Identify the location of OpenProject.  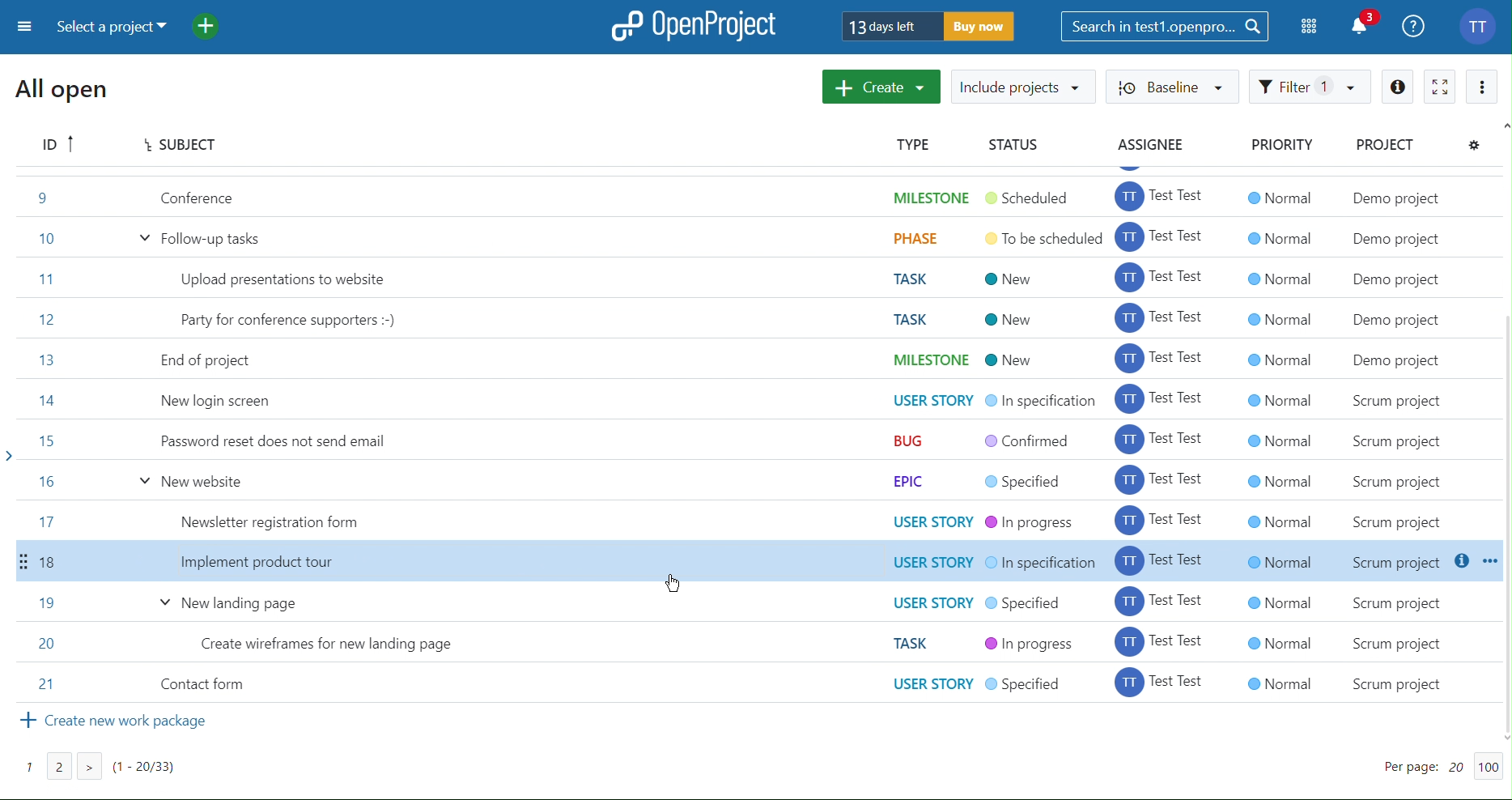
(695, 25).